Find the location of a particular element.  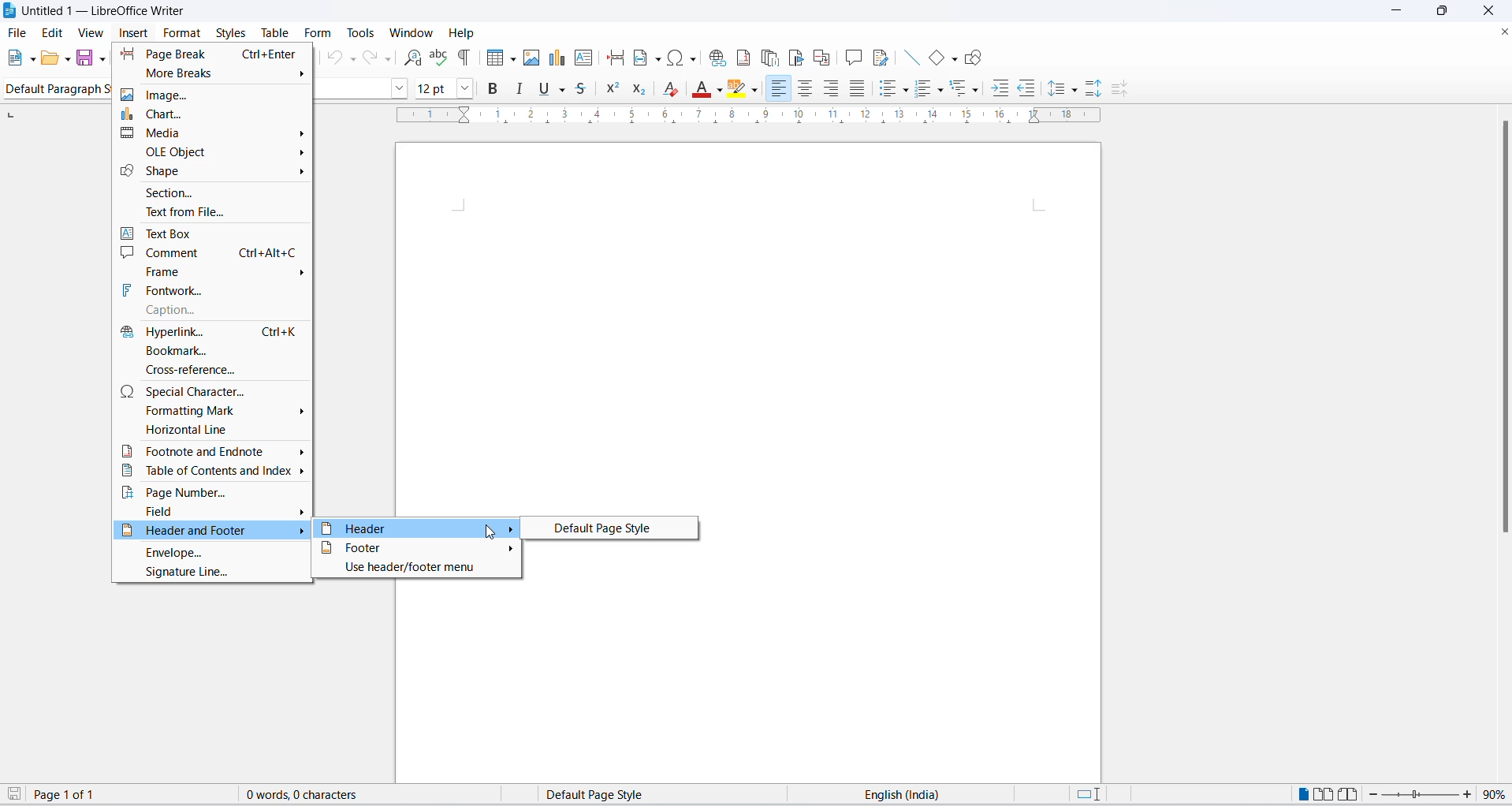

table of content and index is located at coordinates (210, 472).